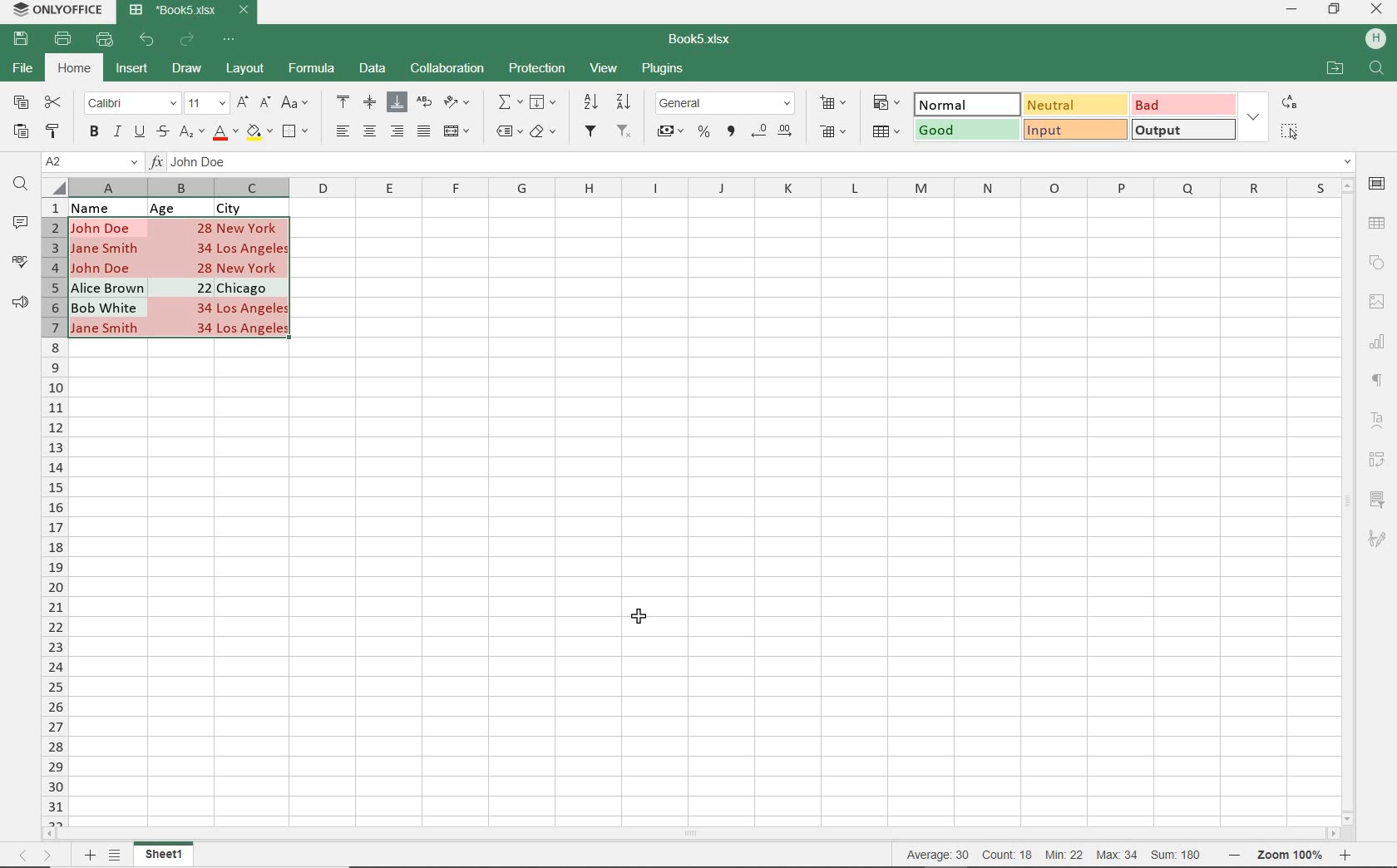 Image resolution: width=1397 pixels, height=868 pixels. I want to click on RESTORE DOWN, so click(1336, 8).